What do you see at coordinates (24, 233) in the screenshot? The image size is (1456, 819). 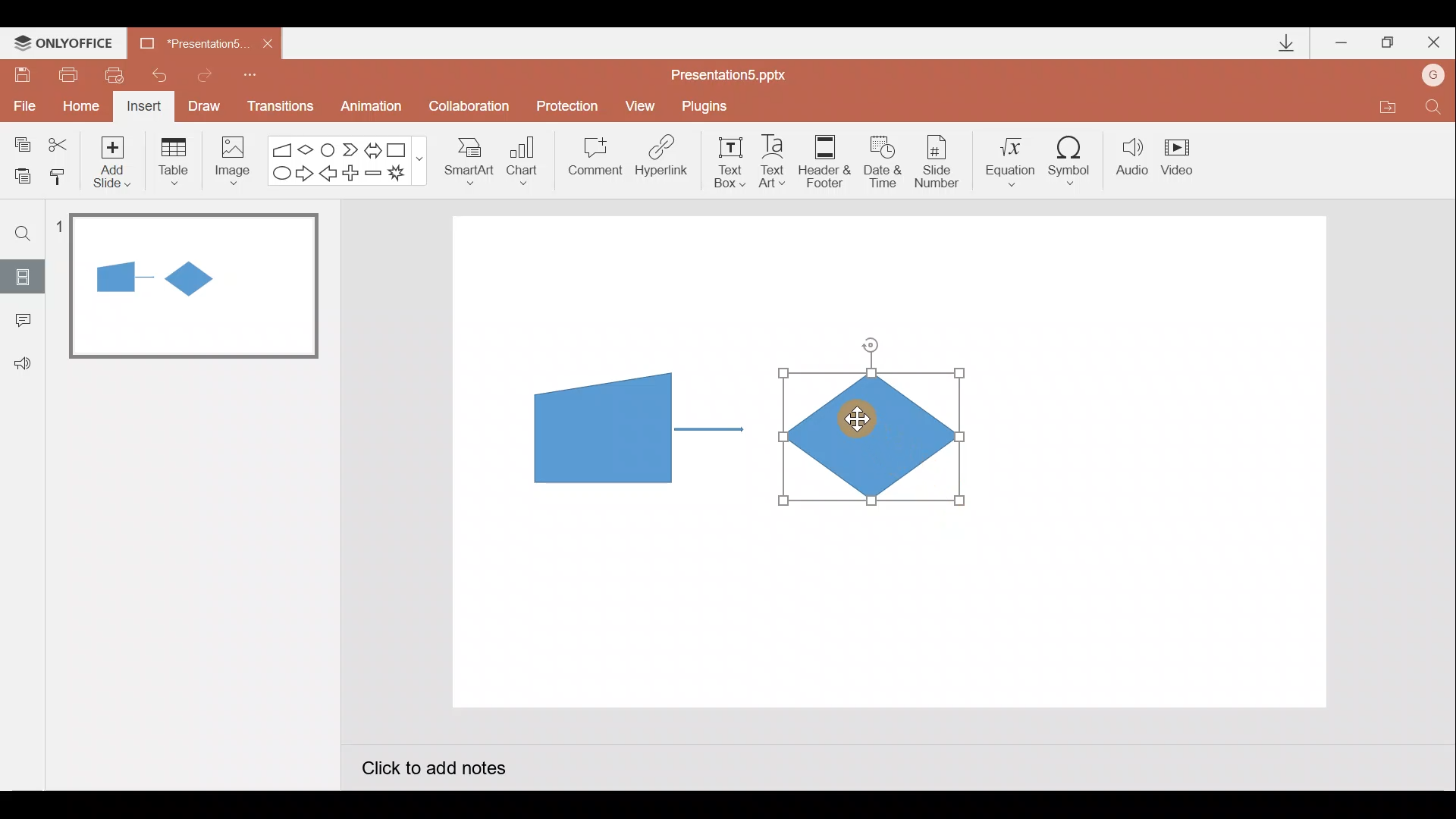 I see `Find` at bounding box center [24, 233].